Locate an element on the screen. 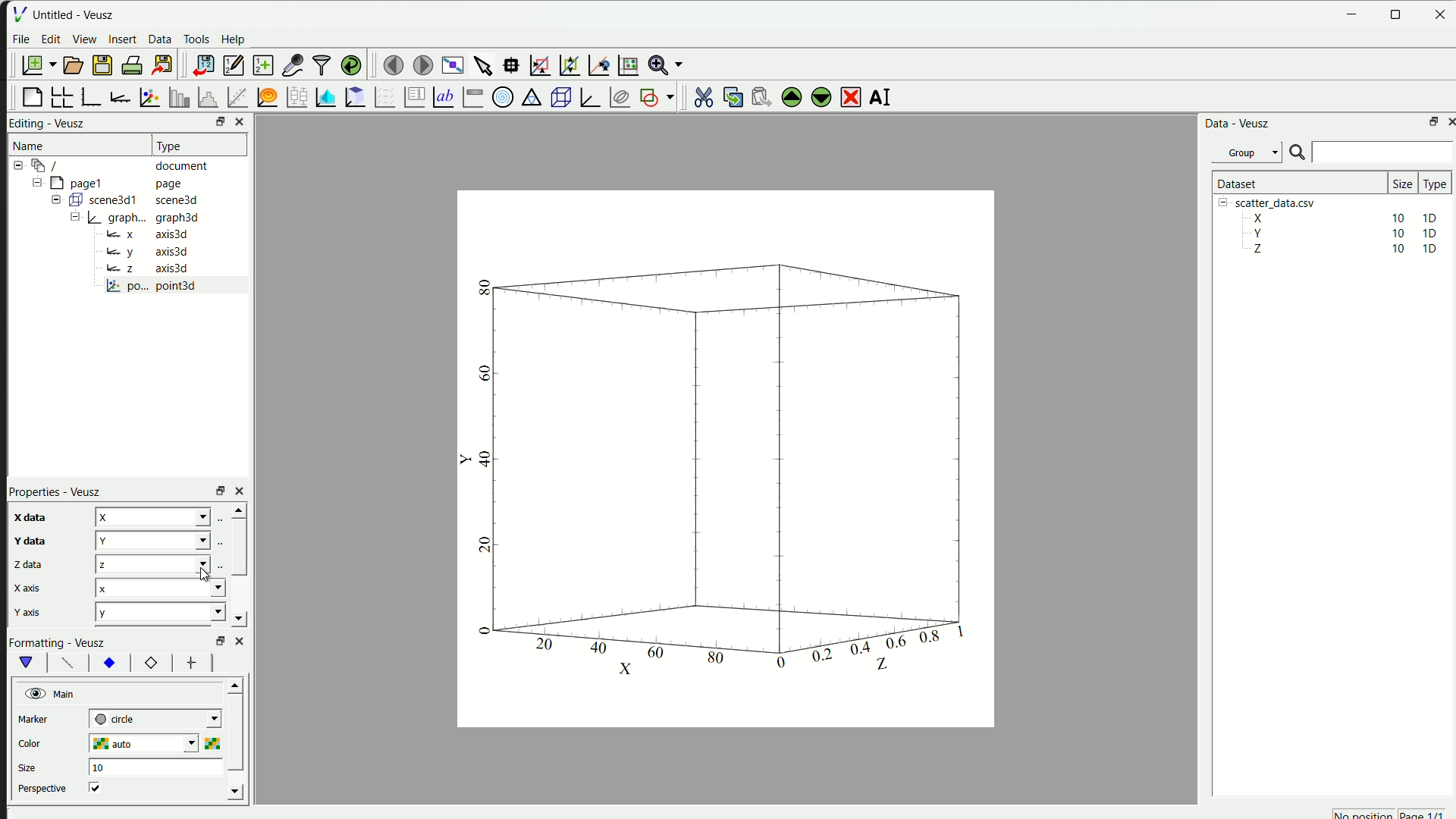 The height and width of the screenshot is (819, 1456). edit is located at coordinates (50, 39).